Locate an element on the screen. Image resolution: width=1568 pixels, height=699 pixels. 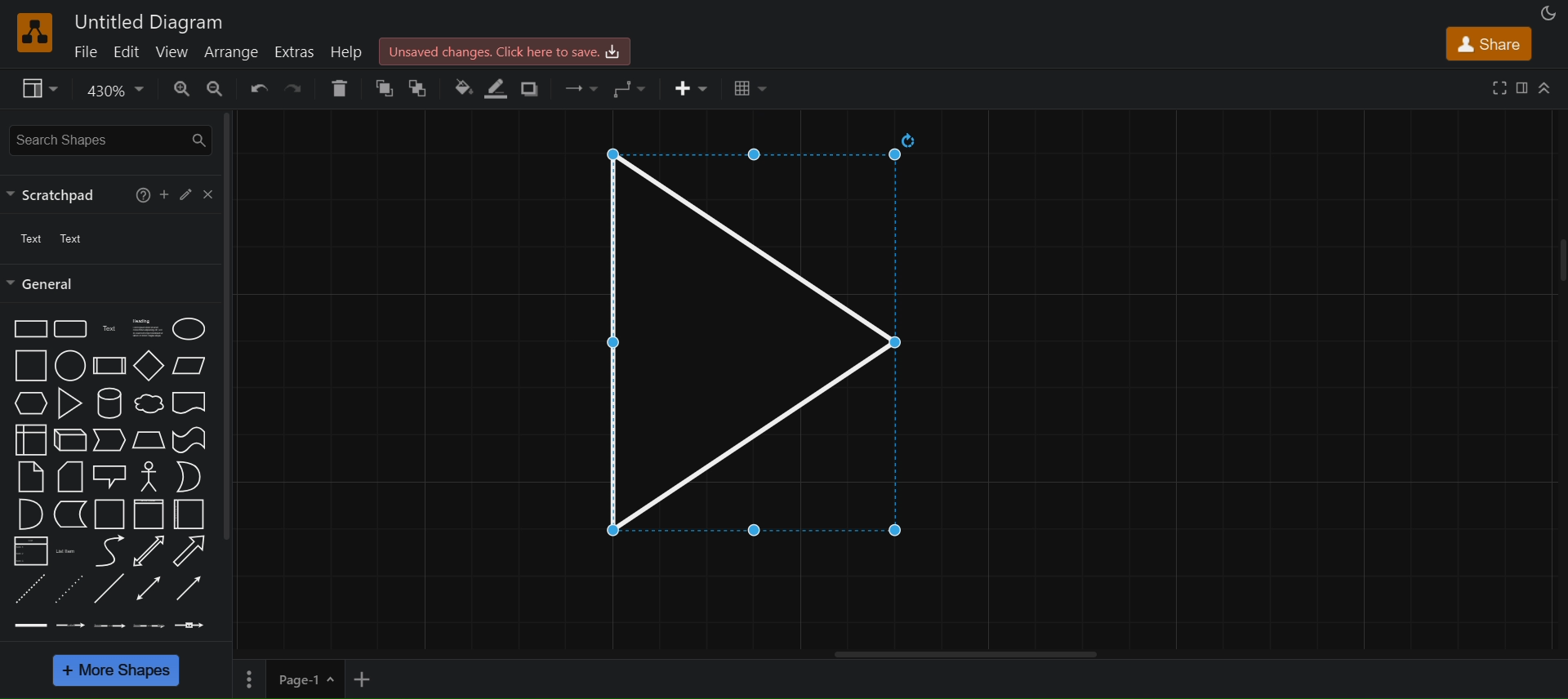
zoom is located at coordinates (113, 91).